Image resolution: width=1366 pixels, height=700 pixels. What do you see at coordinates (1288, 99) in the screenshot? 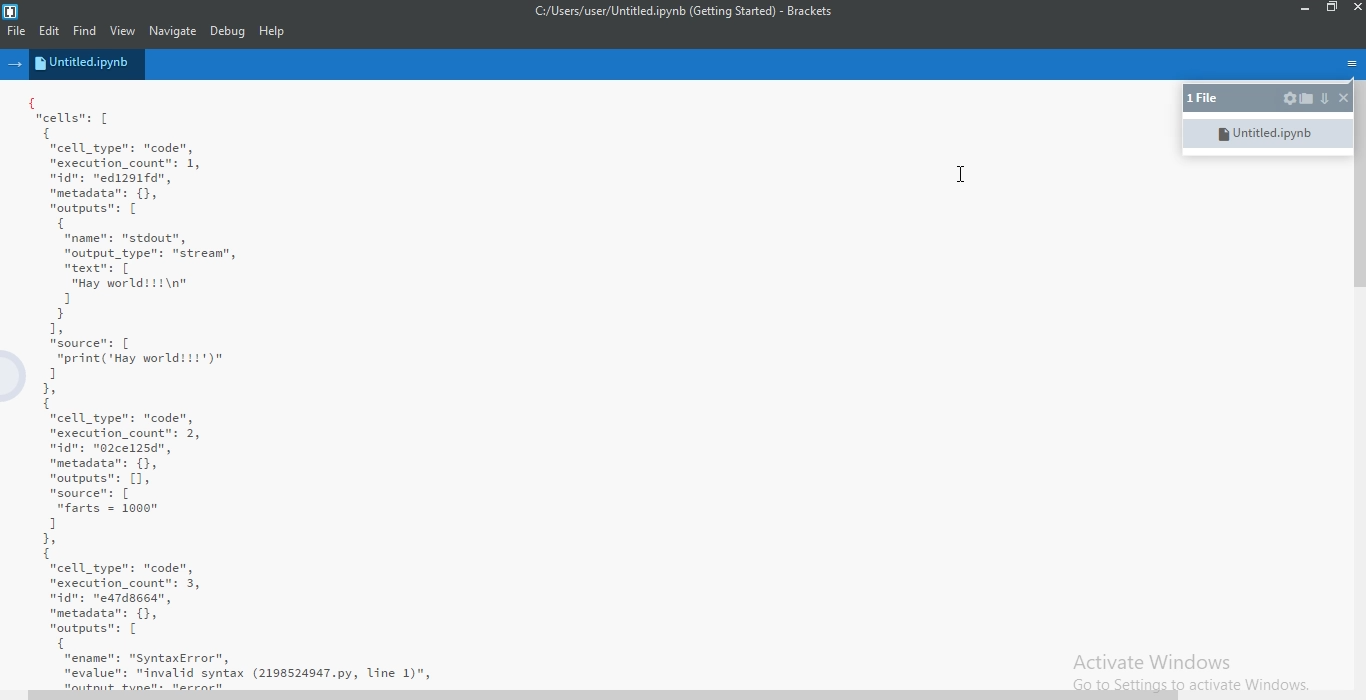
I see `settings` at bounding box center [1288, 99].